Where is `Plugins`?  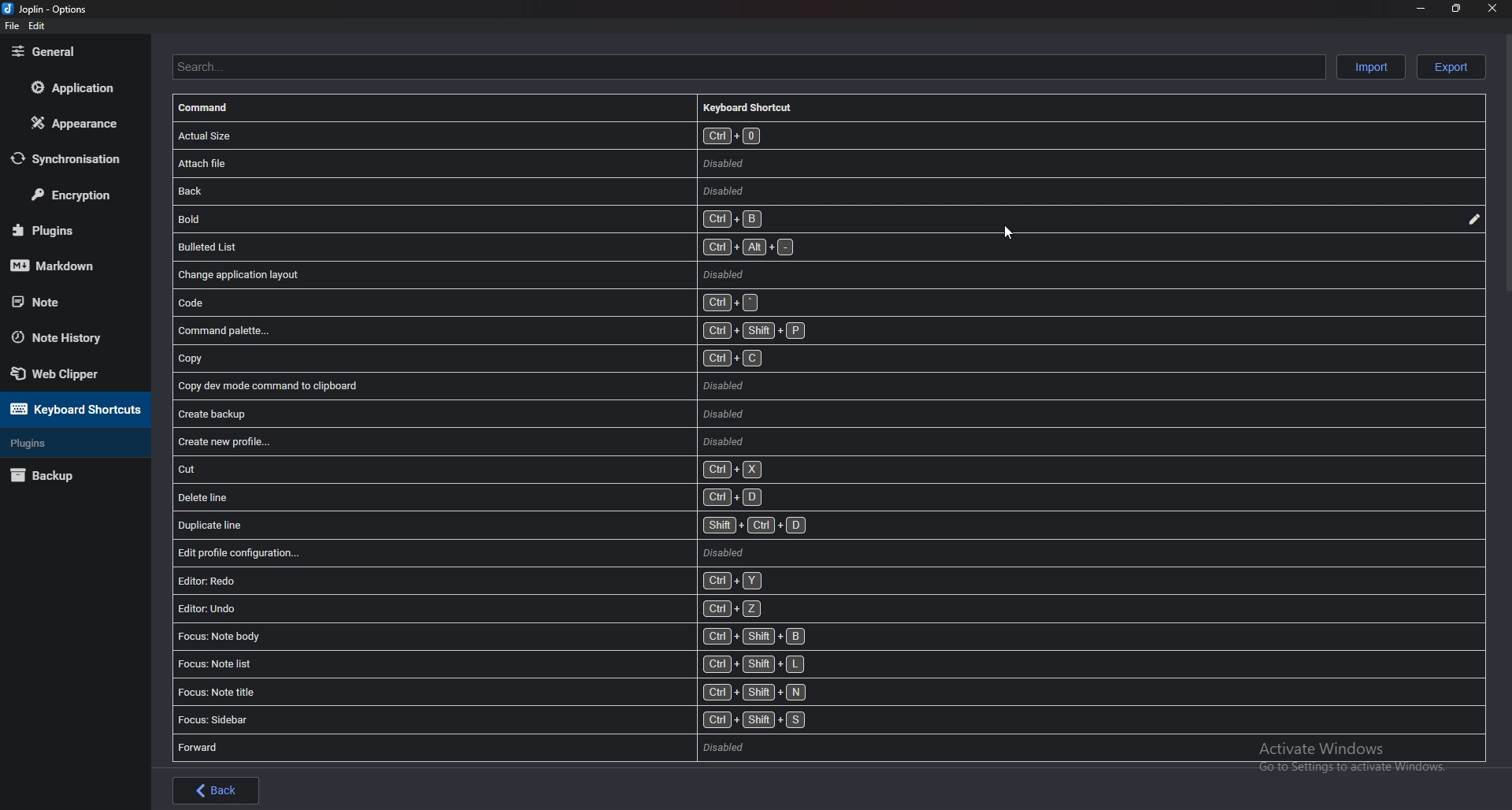 Plugins is located at coordinates (65, 229).